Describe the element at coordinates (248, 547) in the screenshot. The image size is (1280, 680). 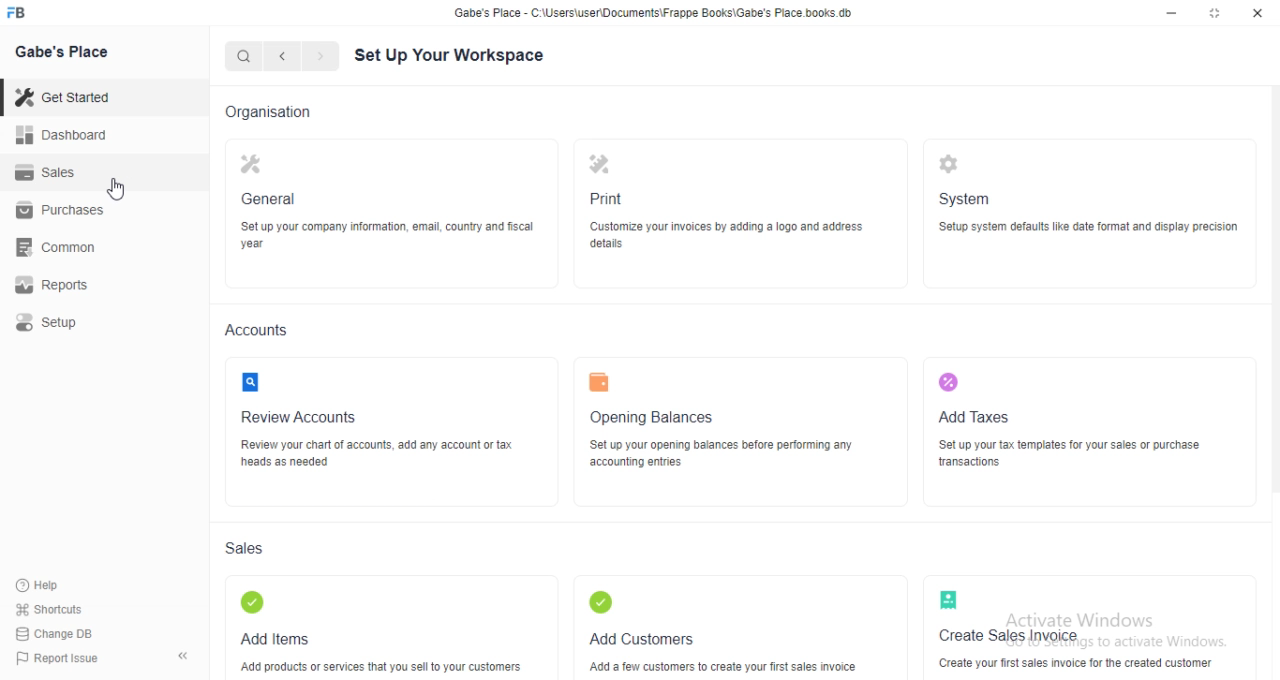
I see `Sales` at that location.